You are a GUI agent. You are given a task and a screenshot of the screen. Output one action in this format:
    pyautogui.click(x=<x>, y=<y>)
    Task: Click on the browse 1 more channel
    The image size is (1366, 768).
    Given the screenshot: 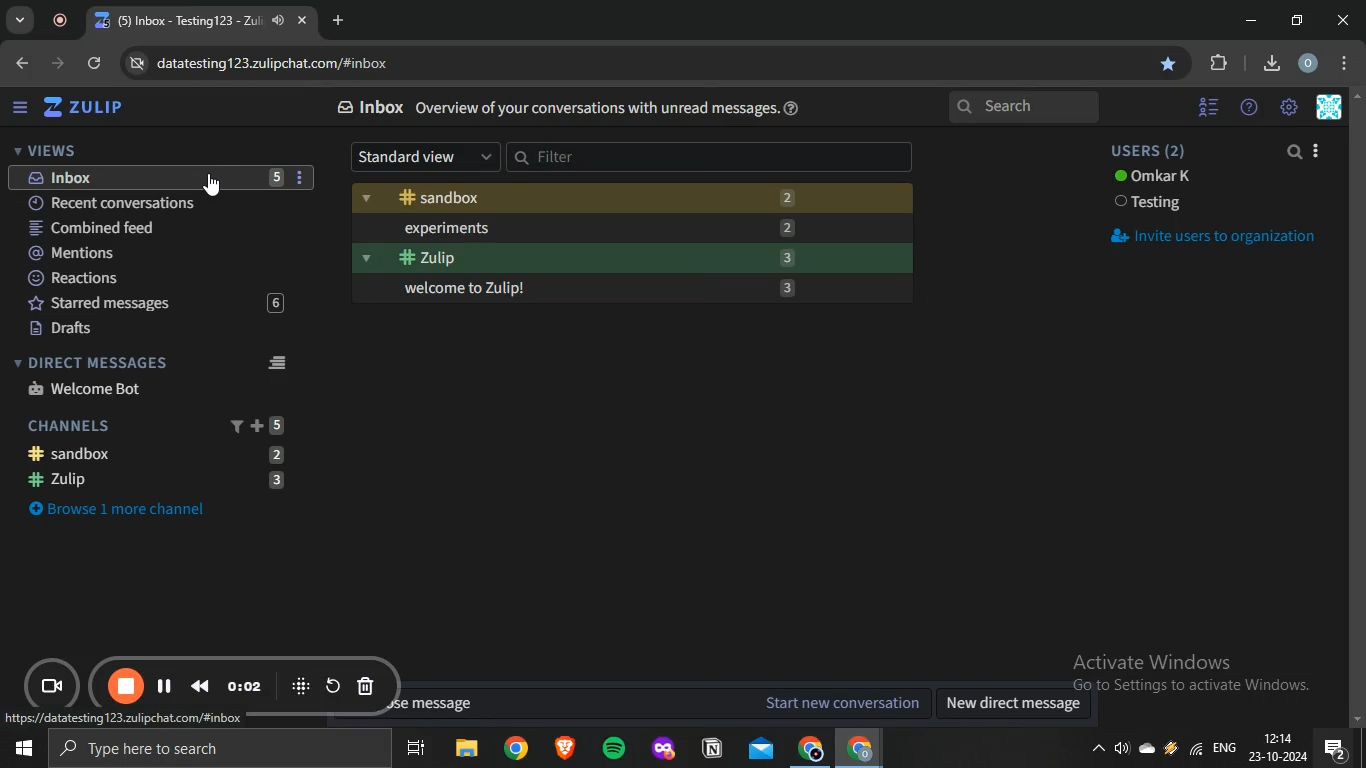 What is the action you would take?
    pyautogui.click(x=130, y=507)
    